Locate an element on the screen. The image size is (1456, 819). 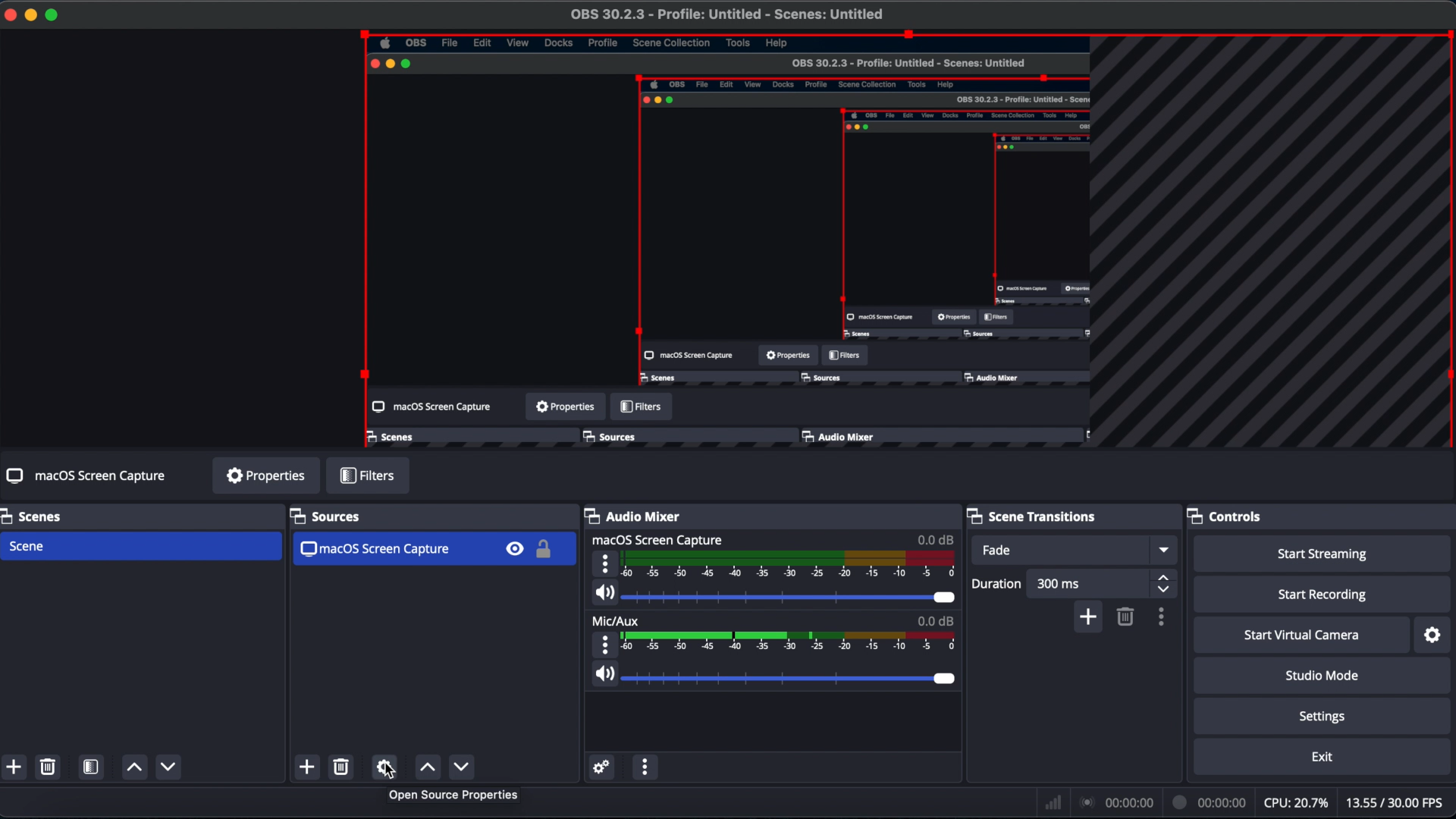
configurable transition properties is located at coordinates (1163, 617).